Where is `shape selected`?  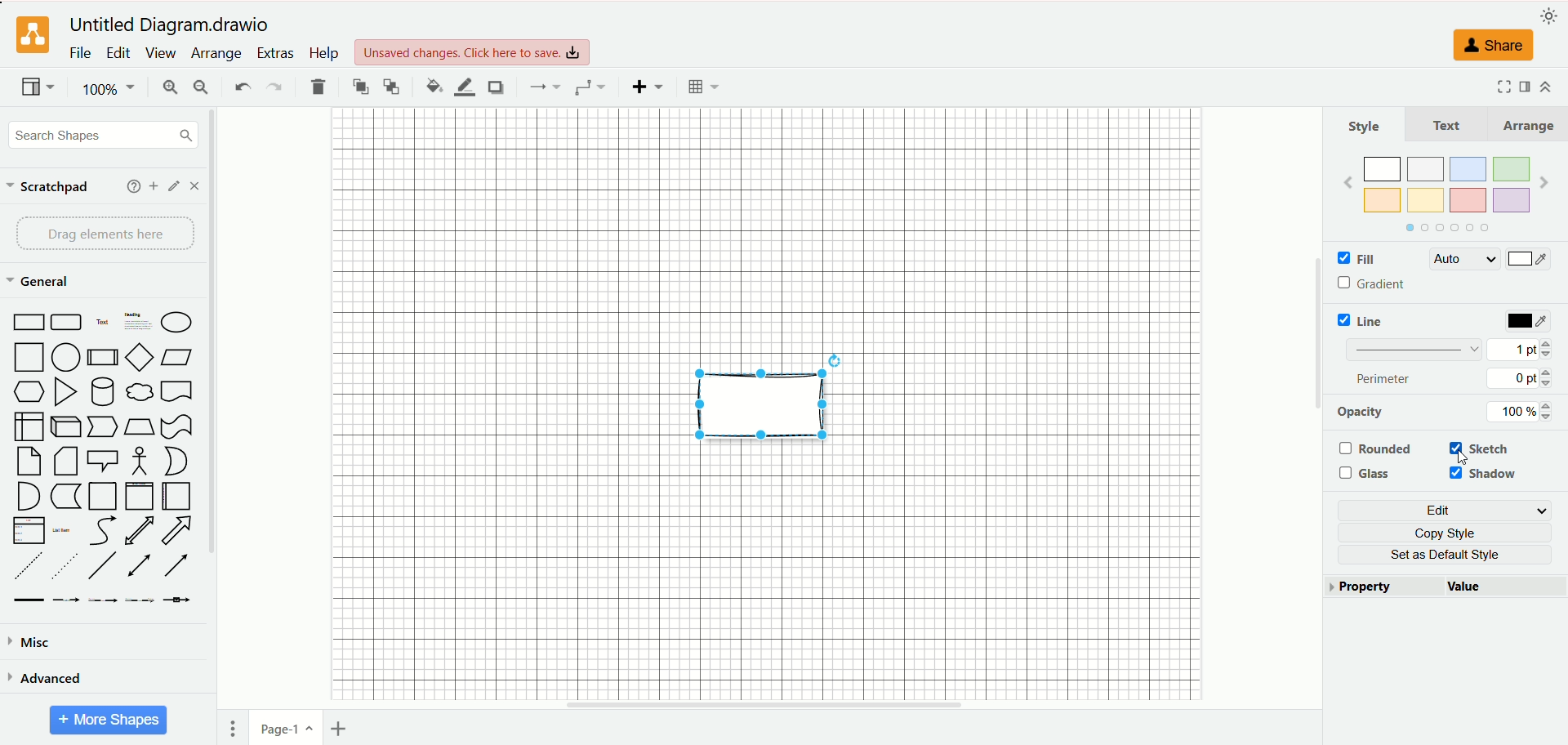 shape selected is located at coordinates (761, 399).